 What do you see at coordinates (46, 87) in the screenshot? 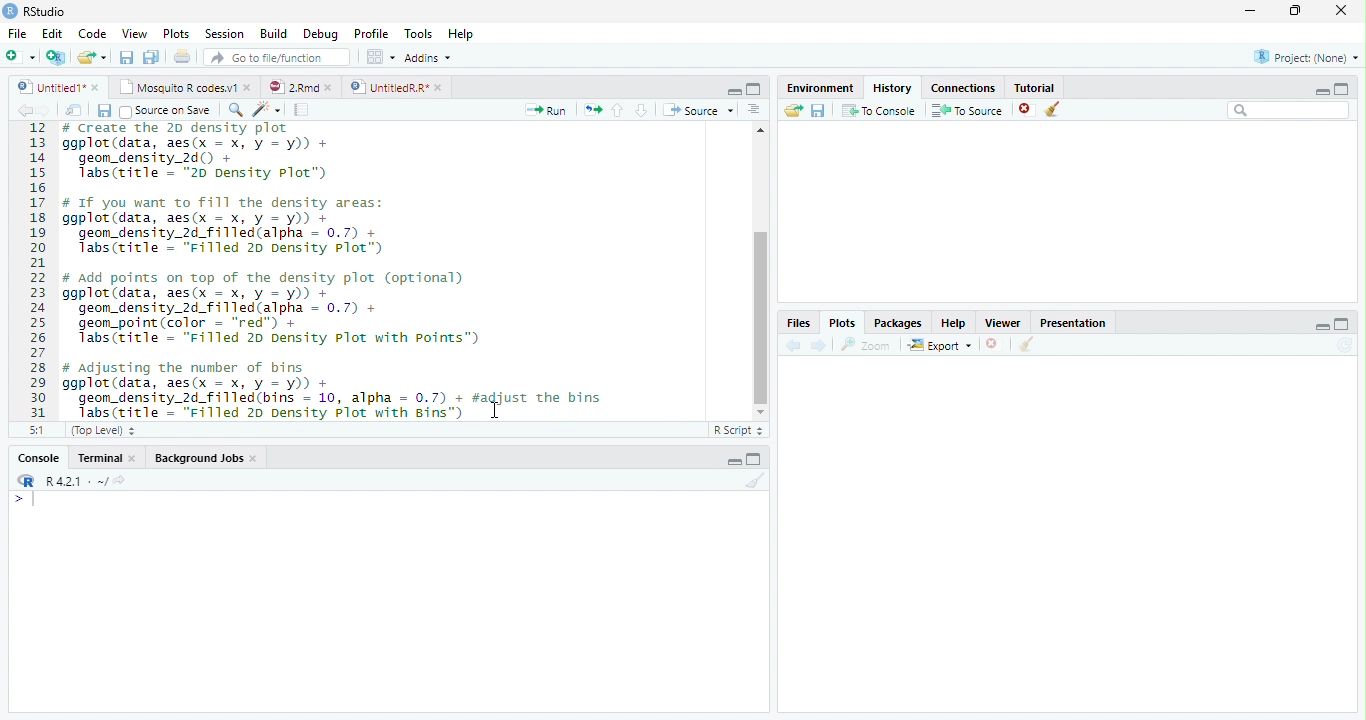
I see `Untitled1` at bounding box center [46, 87].